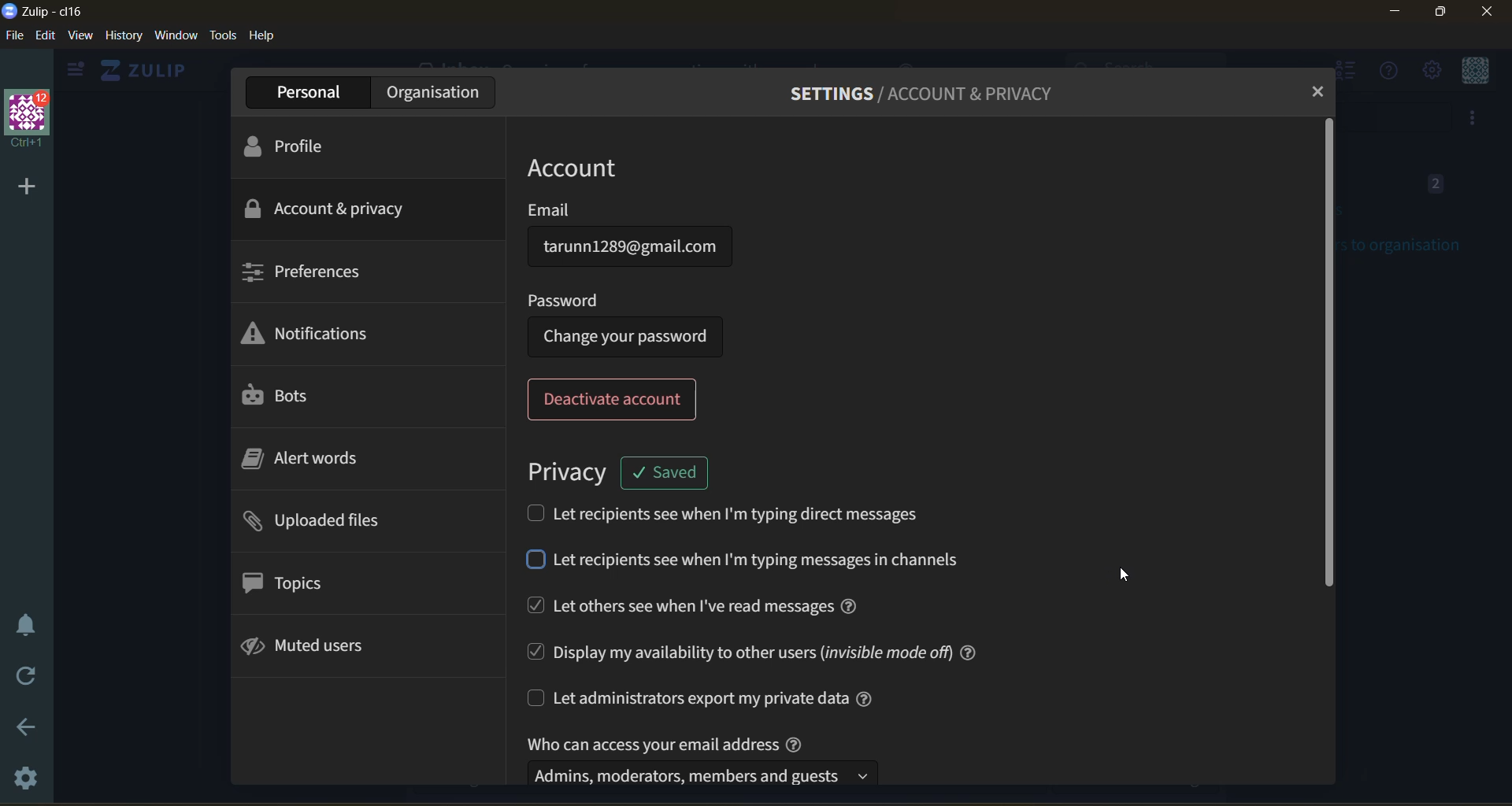 The image size is (1512, 806). I want to click on show left sidebar, so click(72, 70).